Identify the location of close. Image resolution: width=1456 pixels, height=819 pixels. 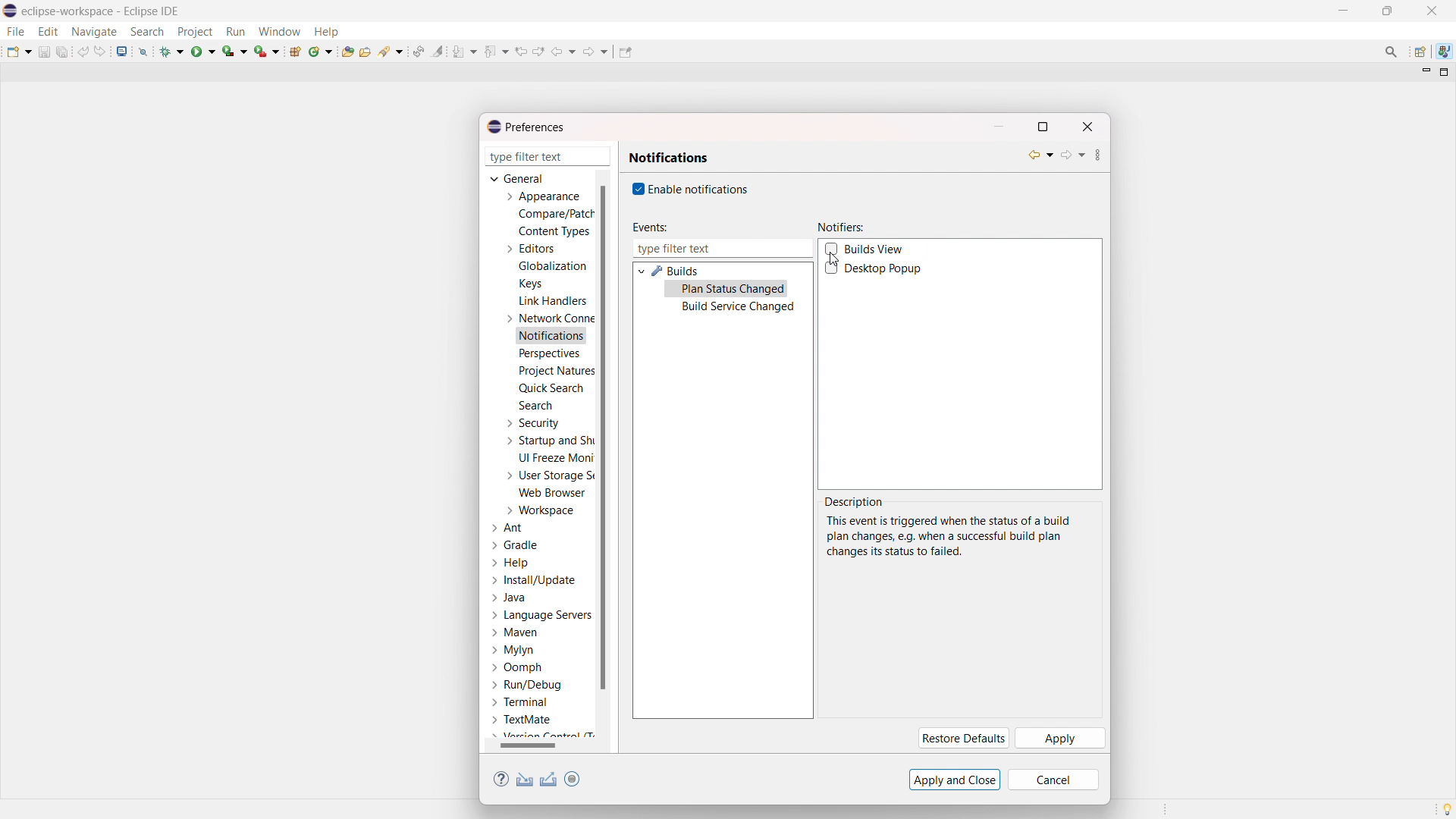
(1432, 11).